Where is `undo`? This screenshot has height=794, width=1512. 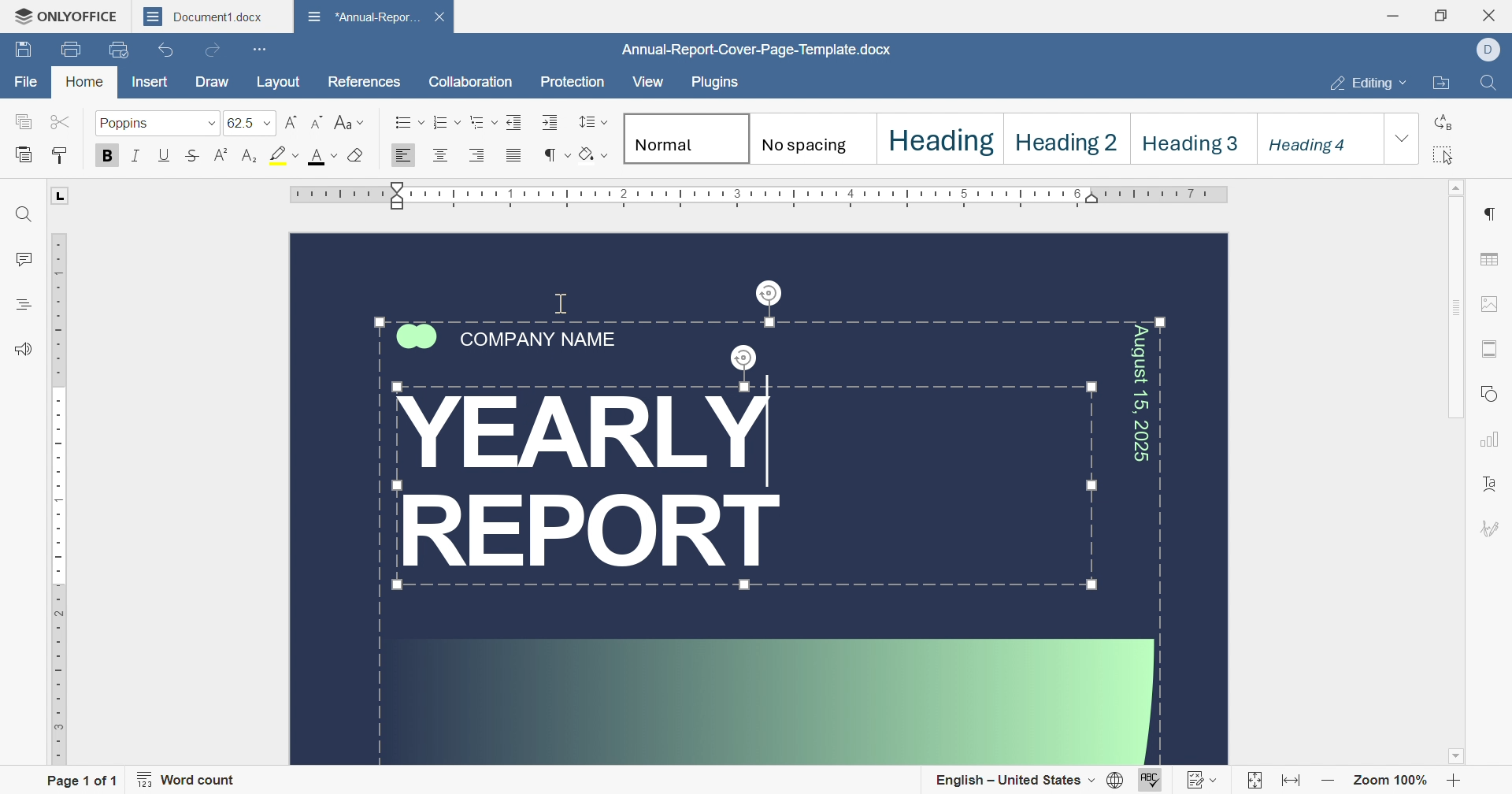
undo is located at coordinates (166, 52).